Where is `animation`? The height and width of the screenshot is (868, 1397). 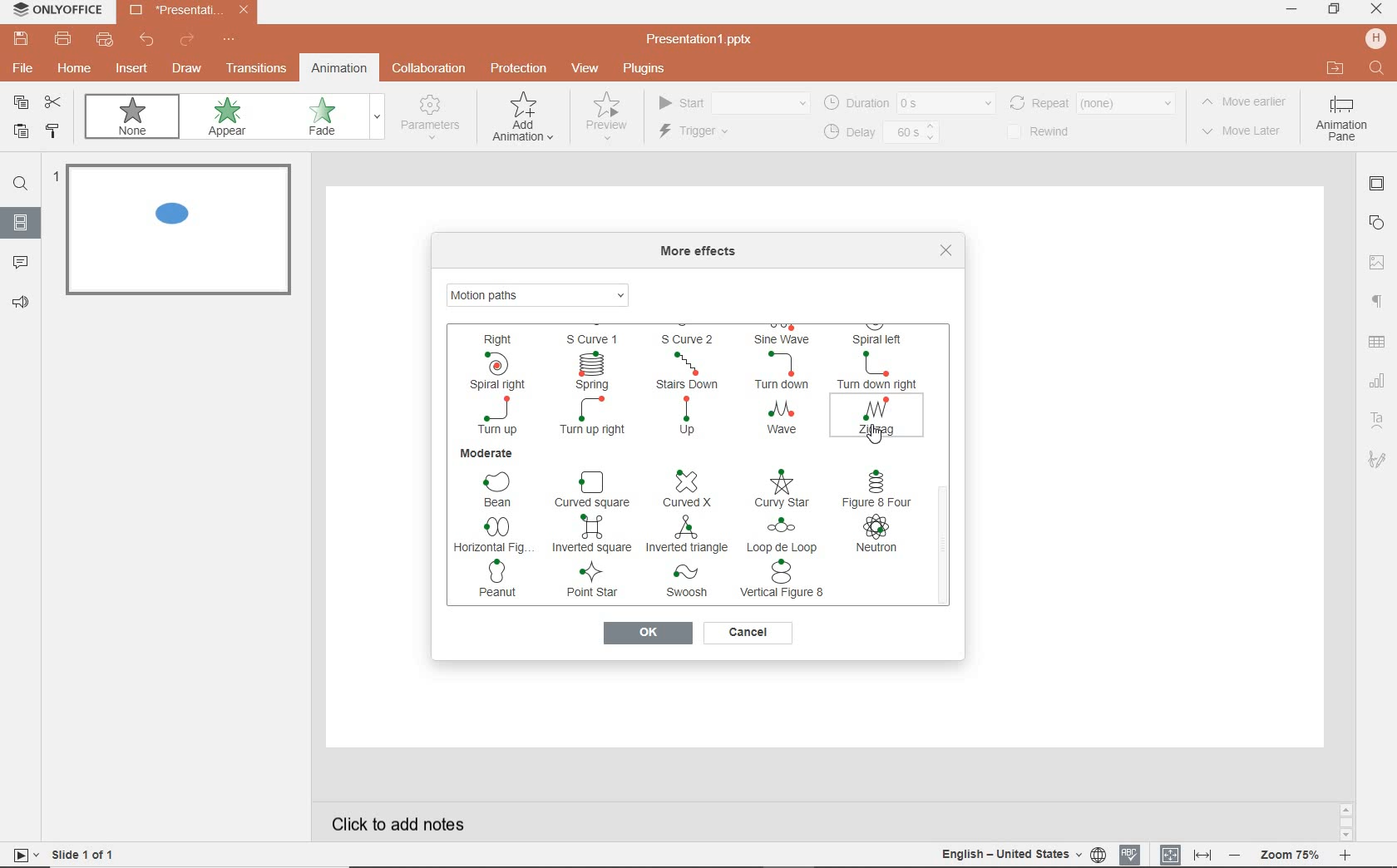
animation is located at coordinates (338, 67).